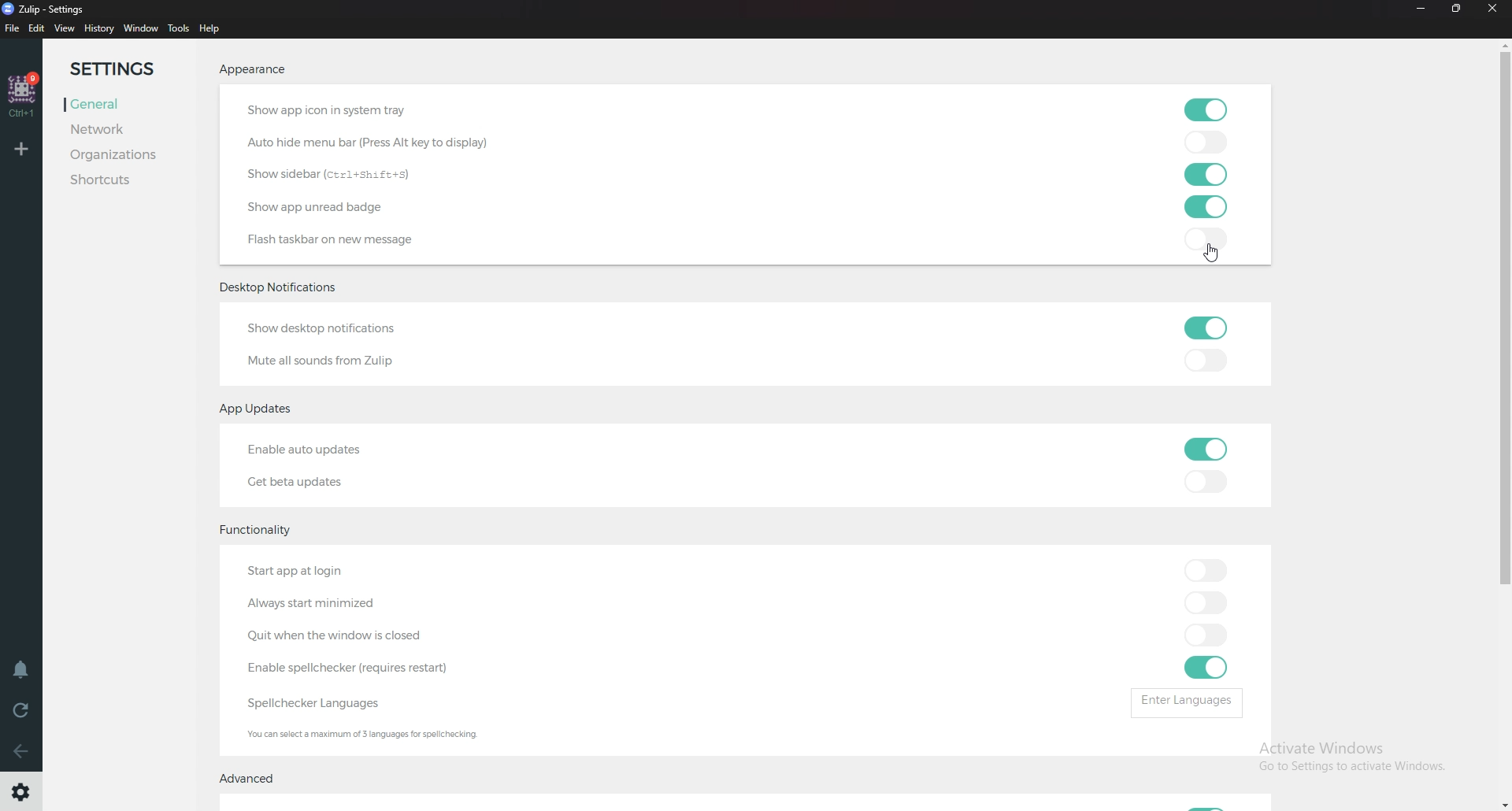 Image resolution: width=1512 pixels, height=811 pixels. What do you see at coordinates (1205, 481) in the screenshot?
I see `toggle` at bounding box center [1205, 481].